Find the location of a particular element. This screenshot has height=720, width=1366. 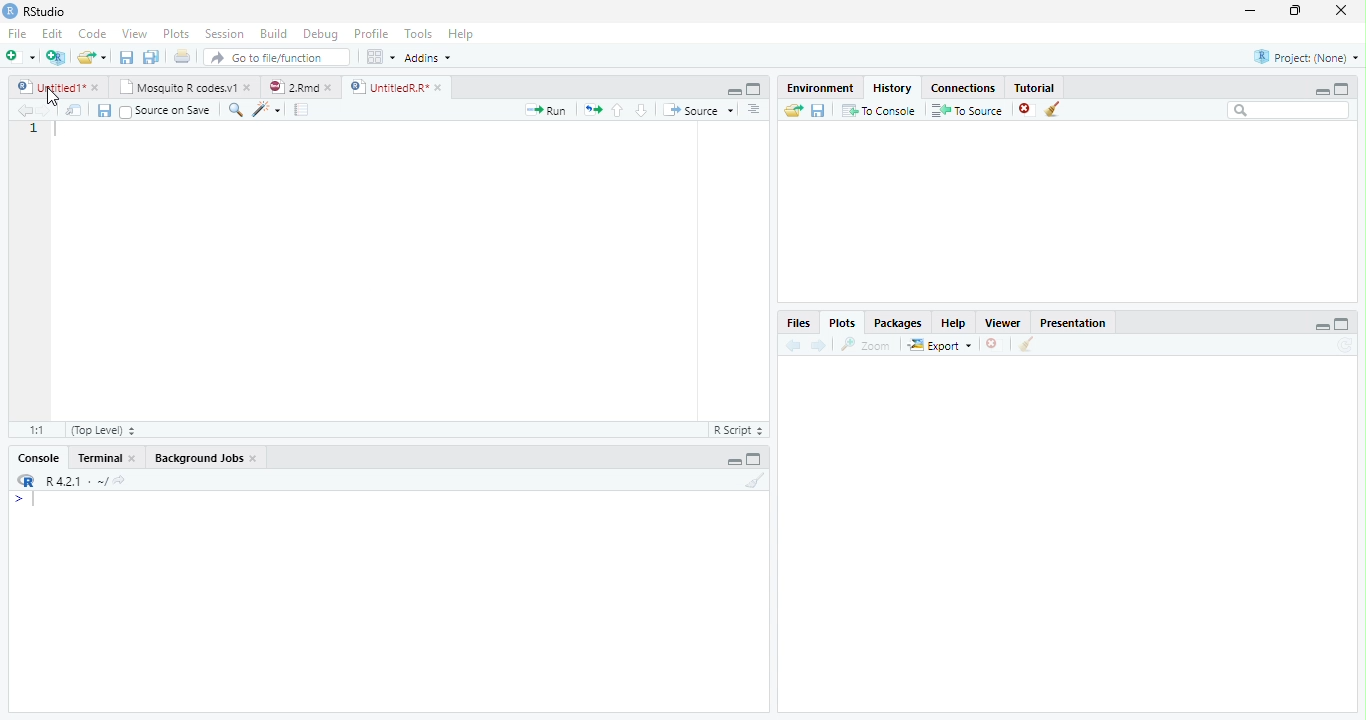

UnttiedR Rr” is located at coordinates (387, 86).